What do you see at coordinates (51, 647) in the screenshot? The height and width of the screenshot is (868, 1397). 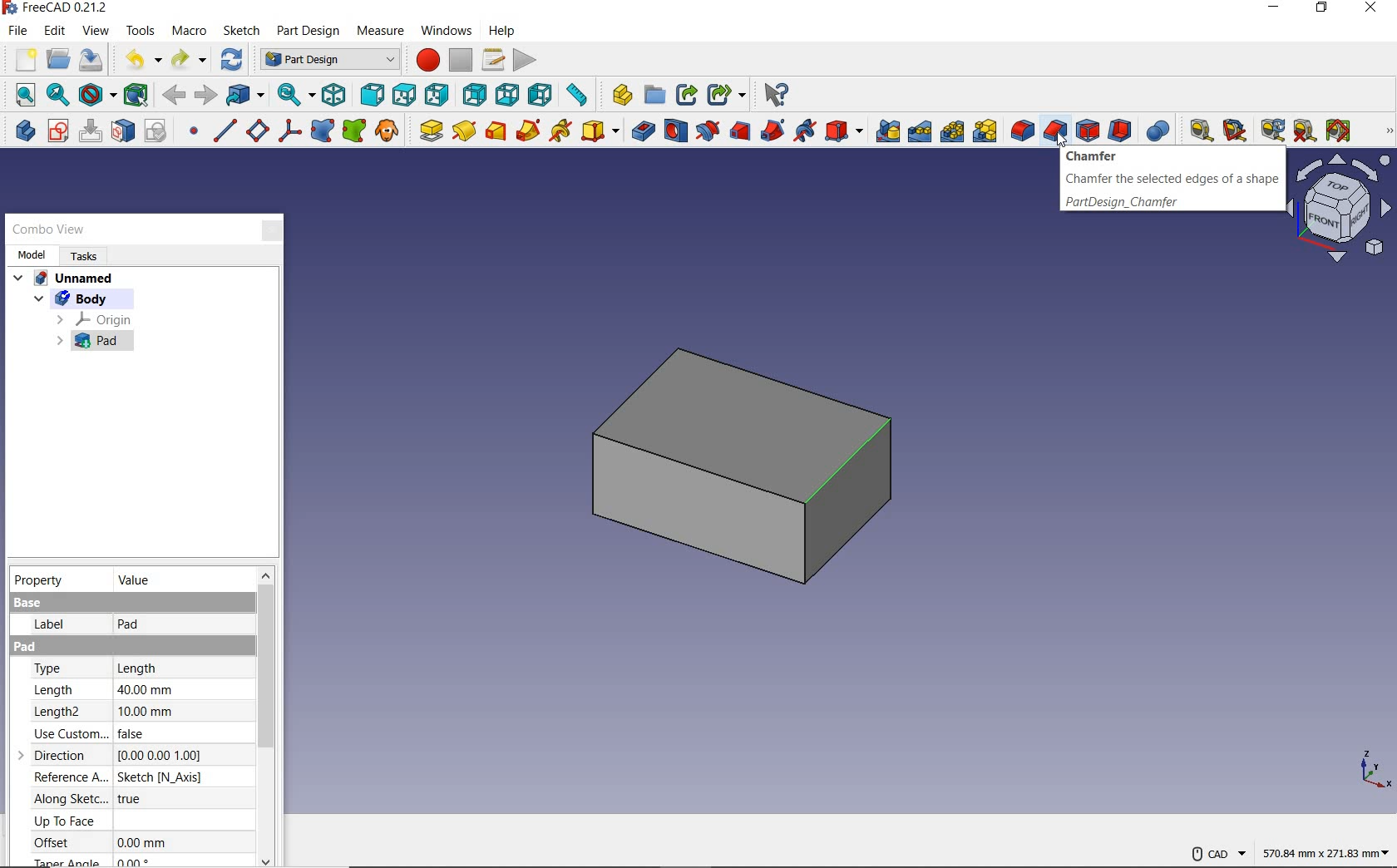 I see `Pad` at bounding box center [51, 647].